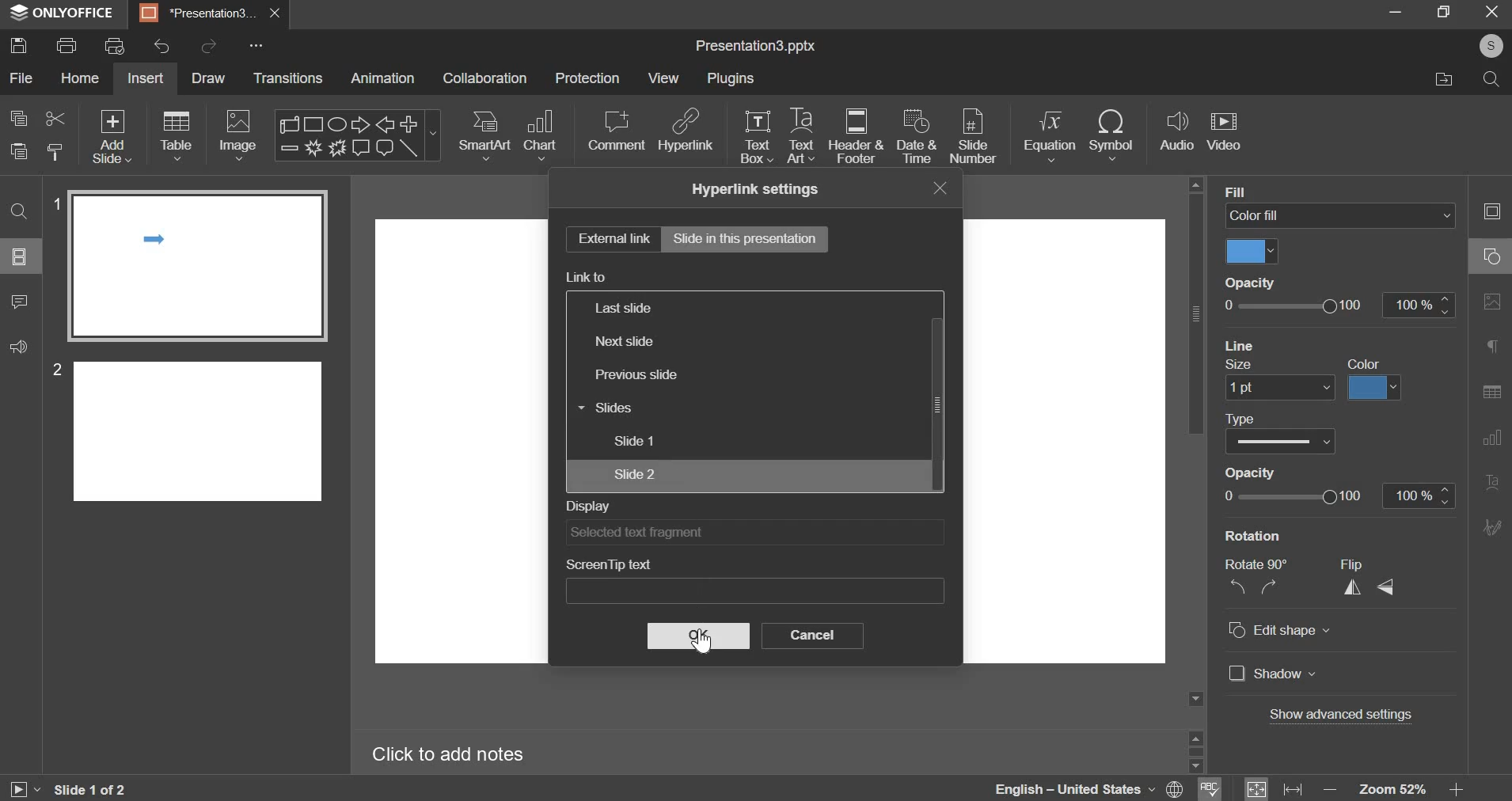 The width and height of the screenshot is (1512, 801). Describe the element at coordinates (1446, 11) in the screenshot. I see `maximize` at that location.